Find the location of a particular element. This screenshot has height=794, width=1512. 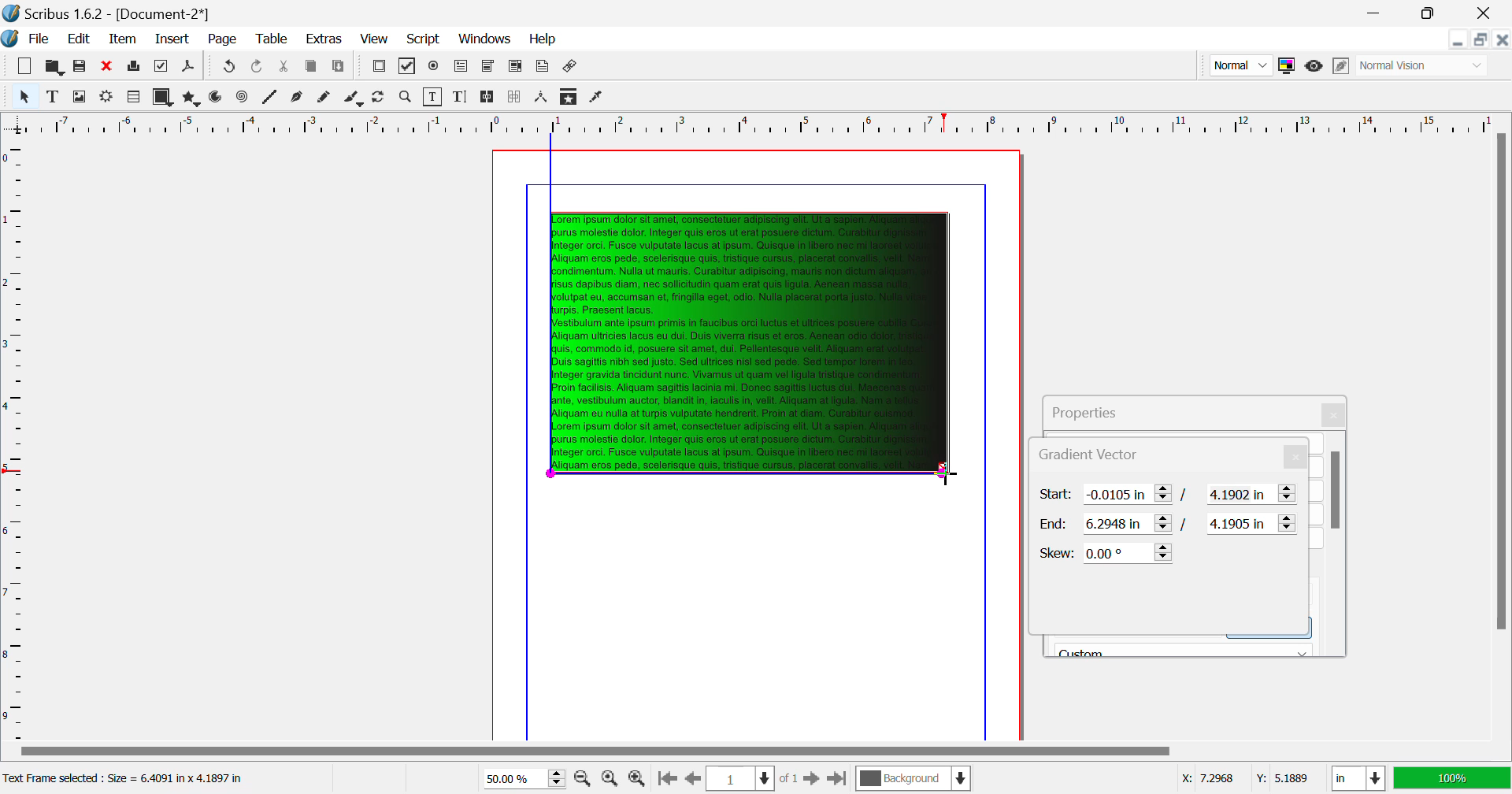

Pdf Text Fields is located at coordinates (461, 67).